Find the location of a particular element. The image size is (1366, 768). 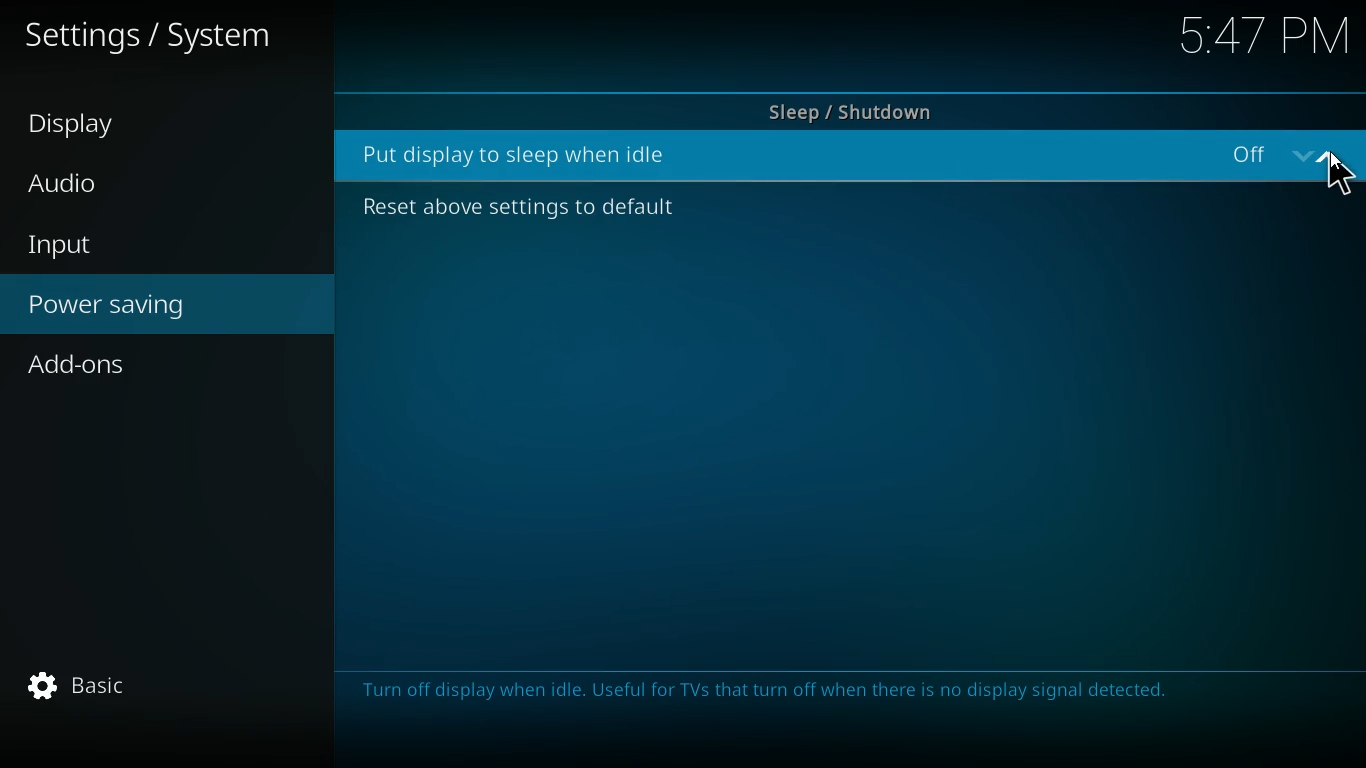

settings / system is located at coordinates (159, 41).